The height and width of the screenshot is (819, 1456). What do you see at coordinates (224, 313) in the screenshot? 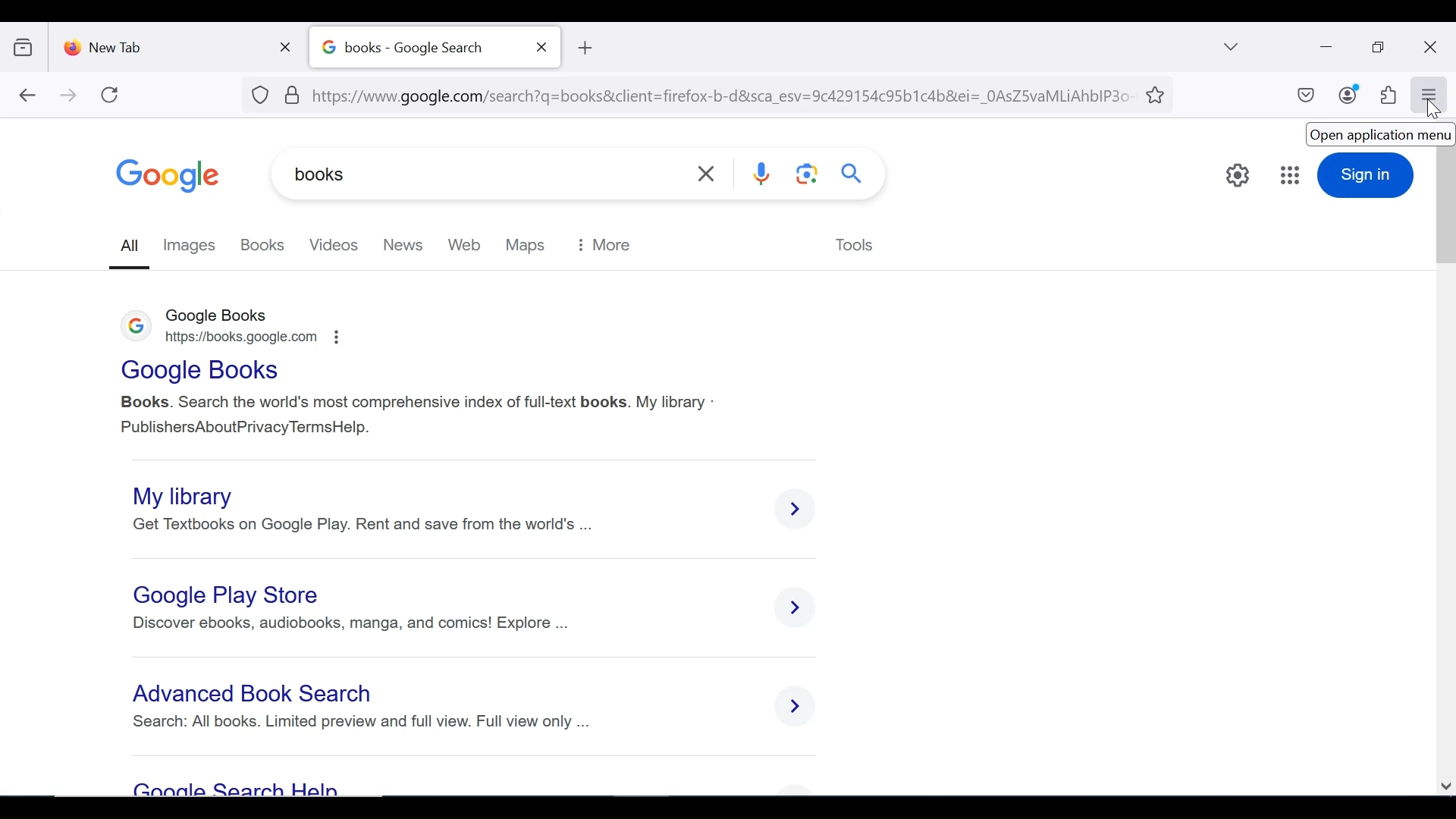
I see `google books` at bounding box center [224, 313].